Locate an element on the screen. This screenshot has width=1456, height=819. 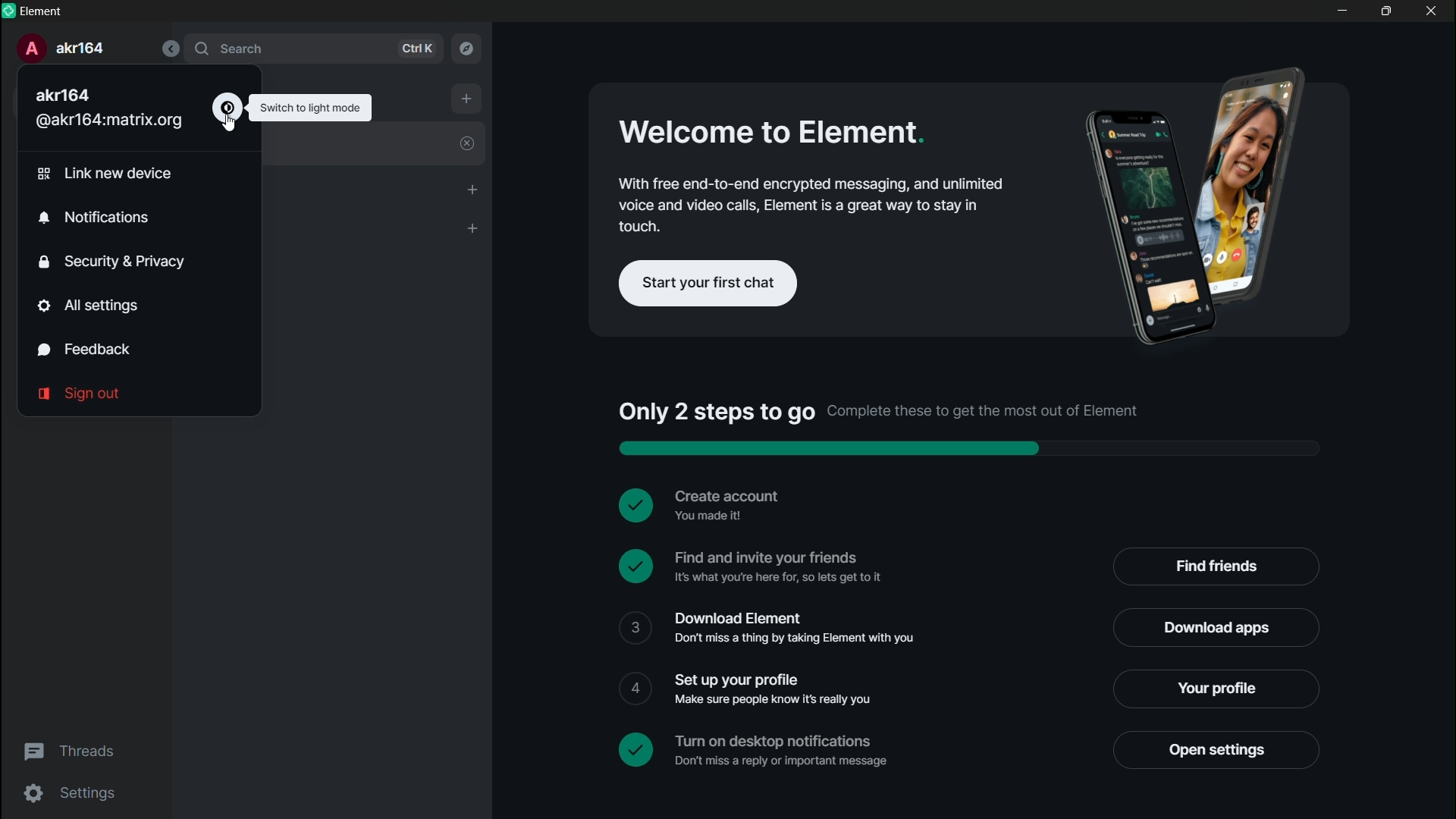
rooms is located at coordinates (363, 227).